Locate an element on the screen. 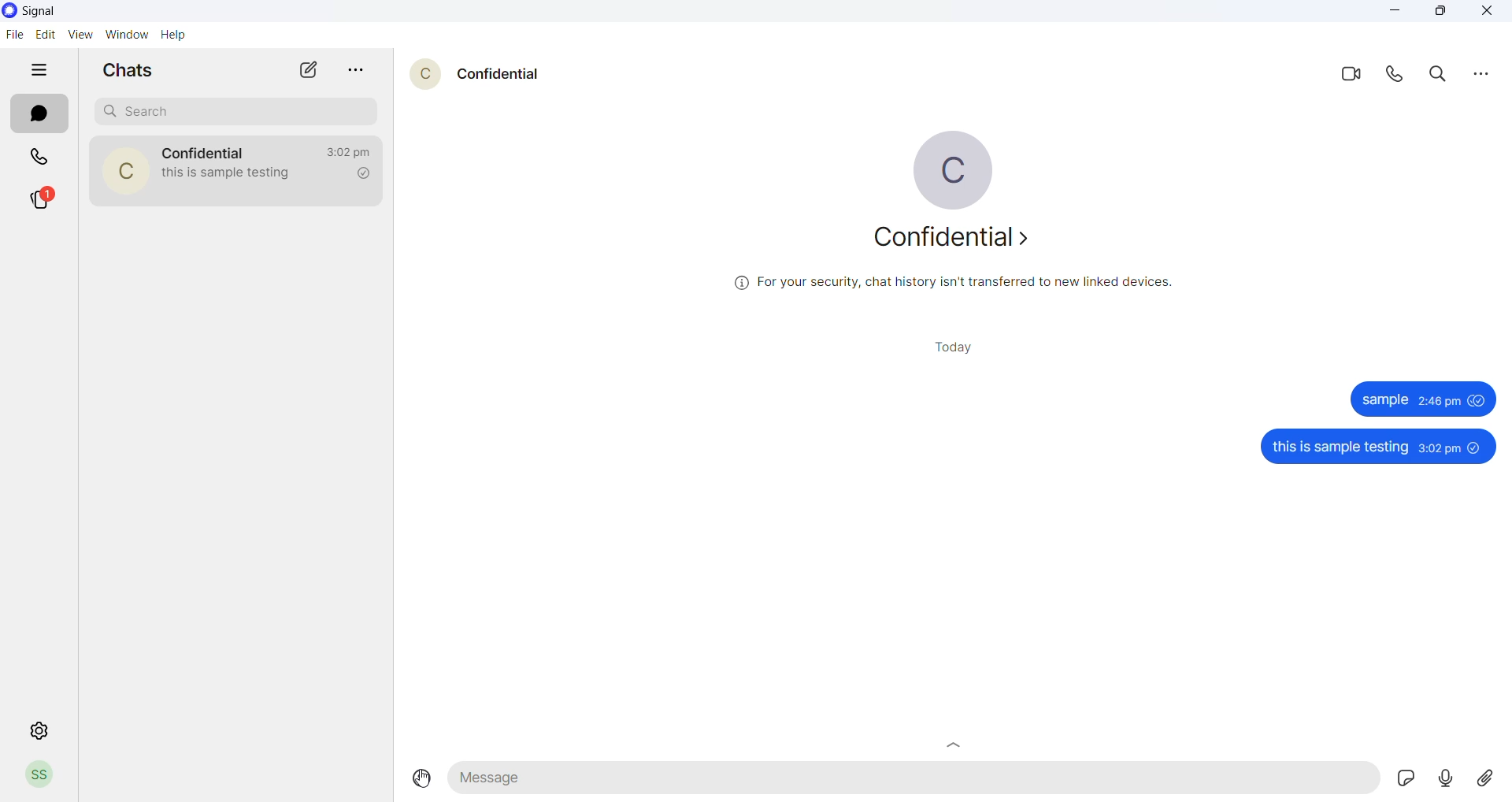  stories is located at coordinates (43, 199).